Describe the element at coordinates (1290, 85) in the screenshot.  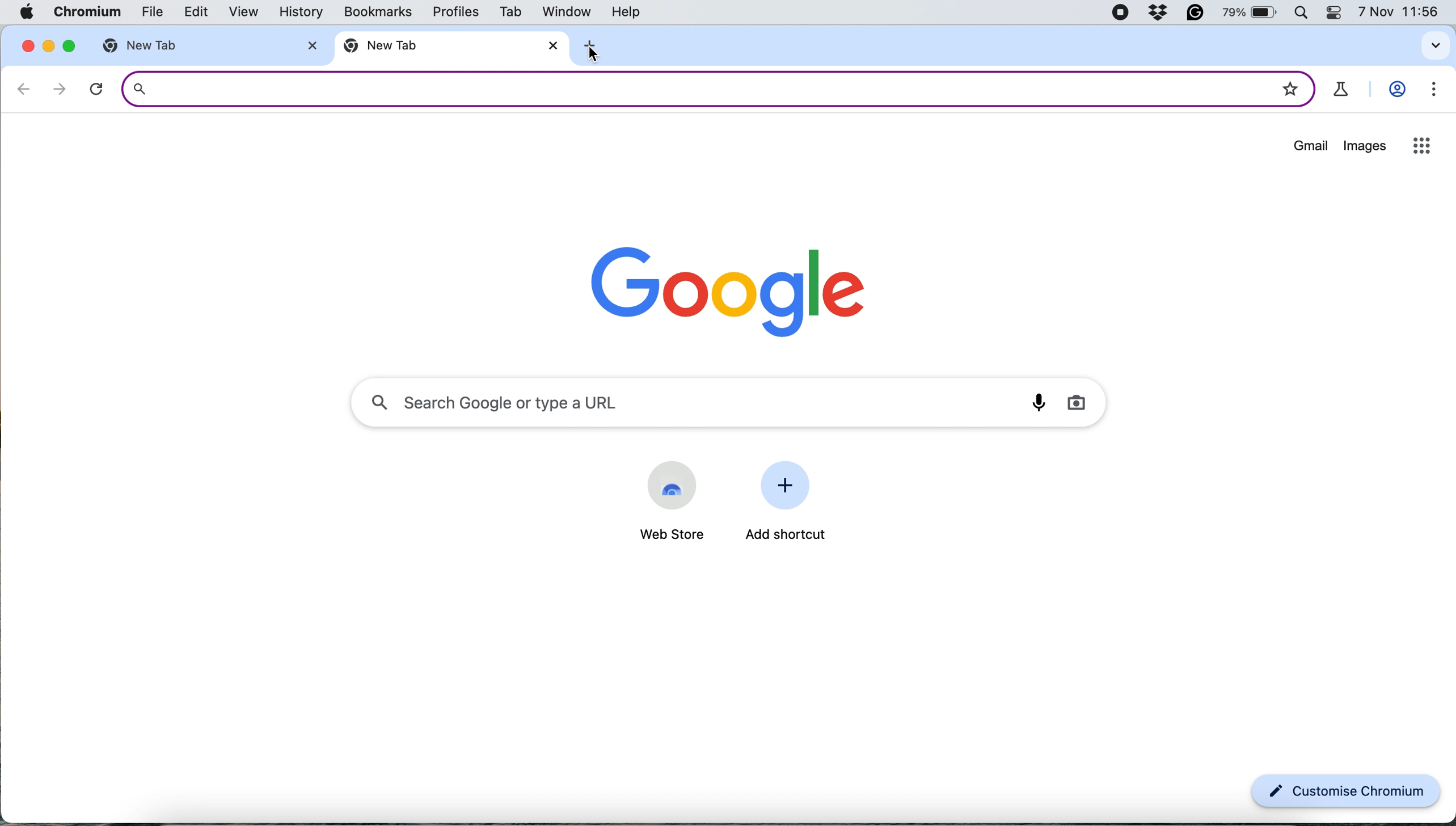
I see `bookmark` at that location.